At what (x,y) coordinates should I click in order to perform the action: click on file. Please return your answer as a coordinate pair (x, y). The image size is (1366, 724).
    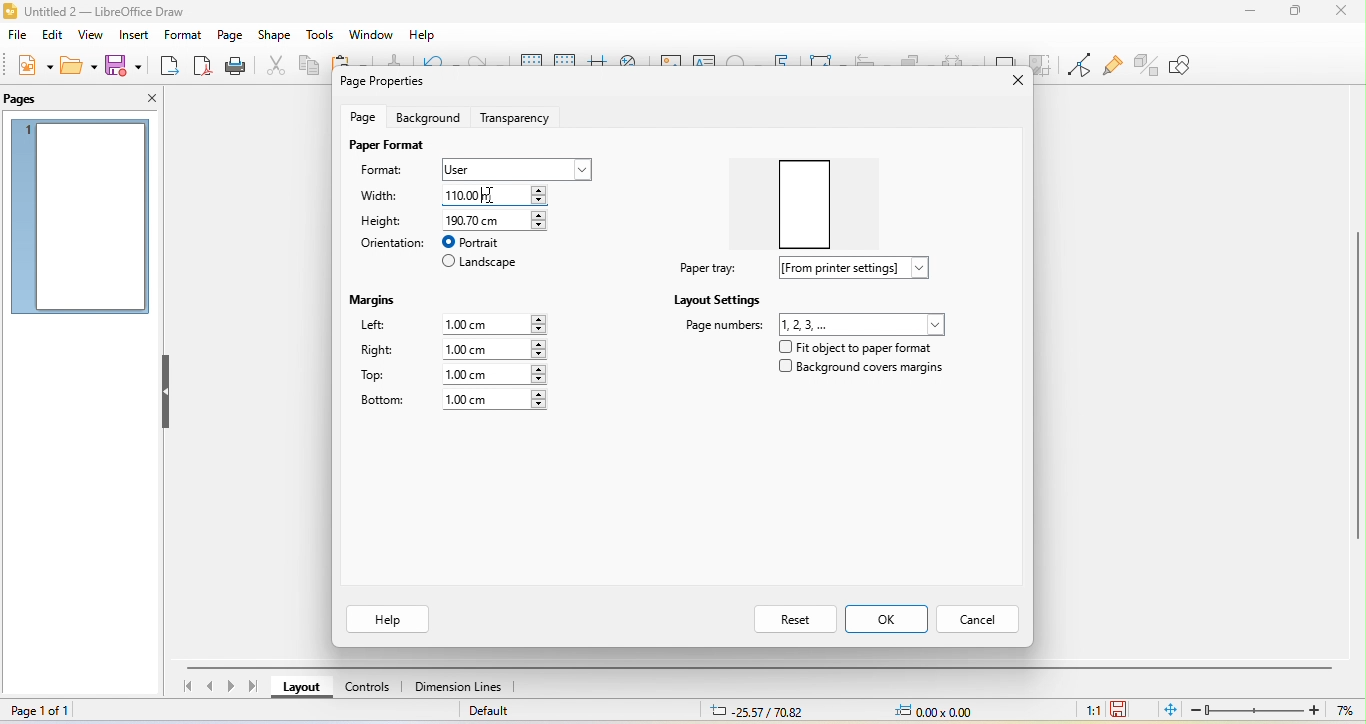
    Looking at the image, I should click on (17, 37).